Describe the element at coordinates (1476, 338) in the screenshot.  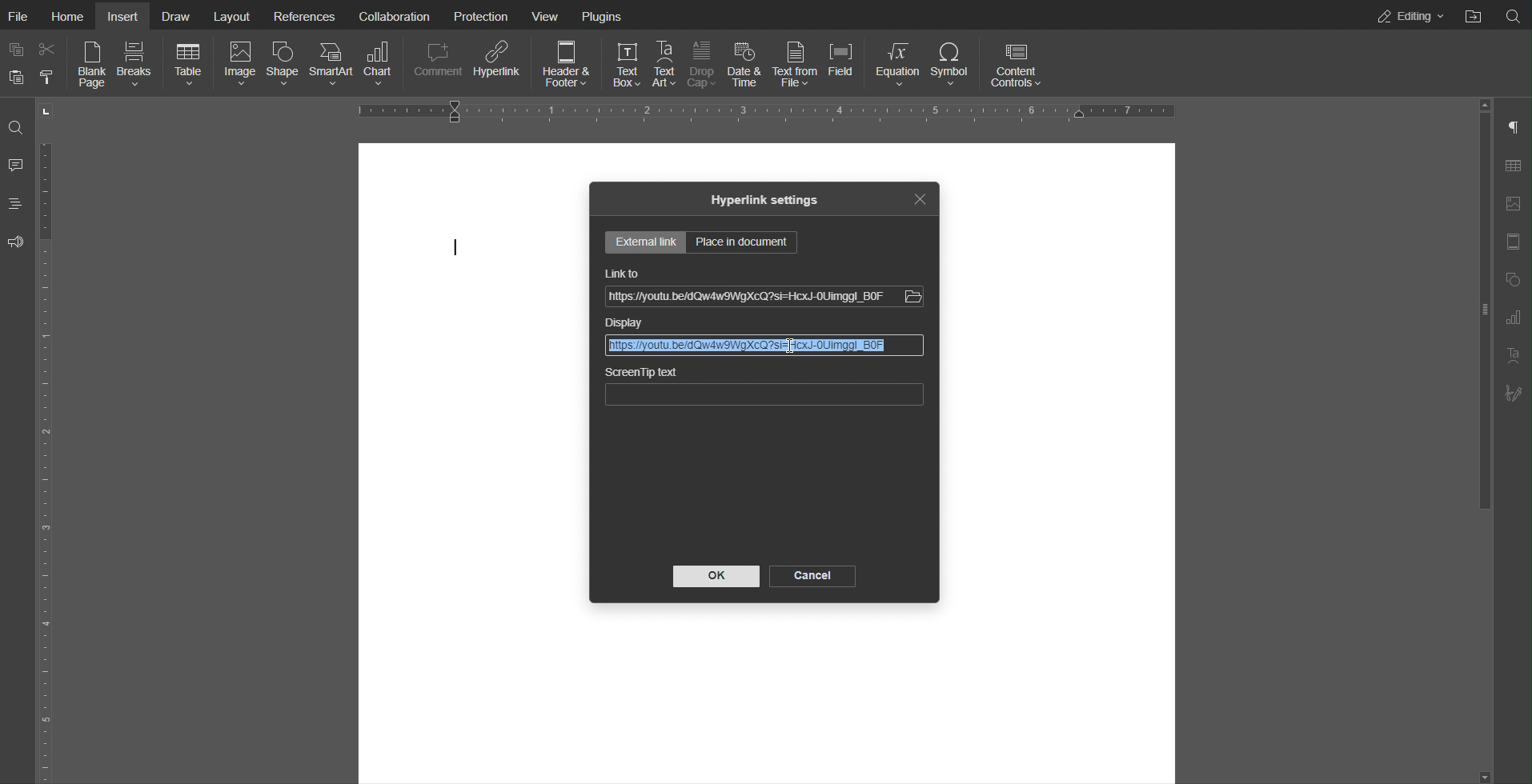
I see `slider` at that location.